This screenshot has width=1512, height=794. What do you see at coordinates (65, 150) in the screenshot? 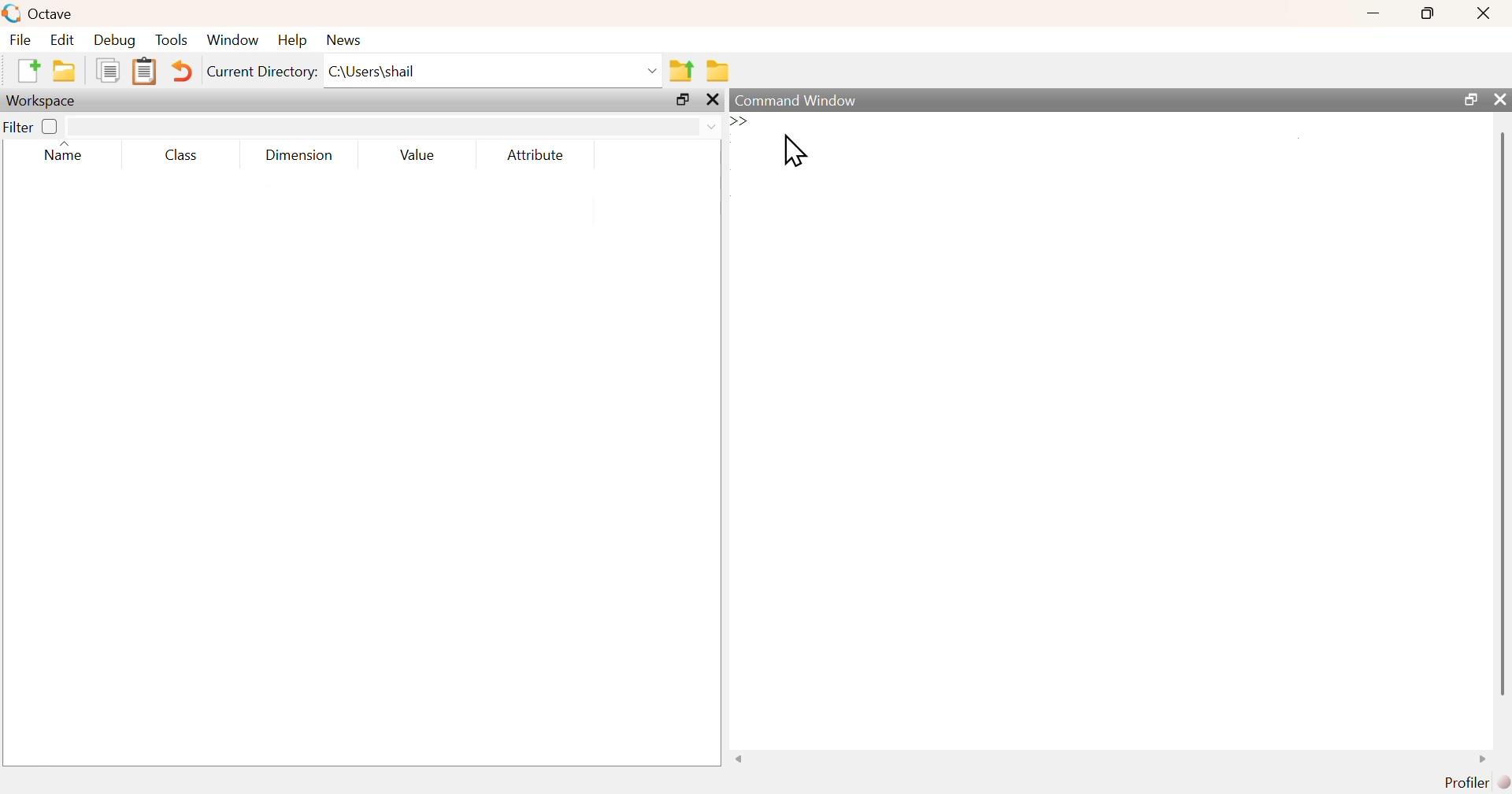
I see `Name` at bounding box center [65, 150].